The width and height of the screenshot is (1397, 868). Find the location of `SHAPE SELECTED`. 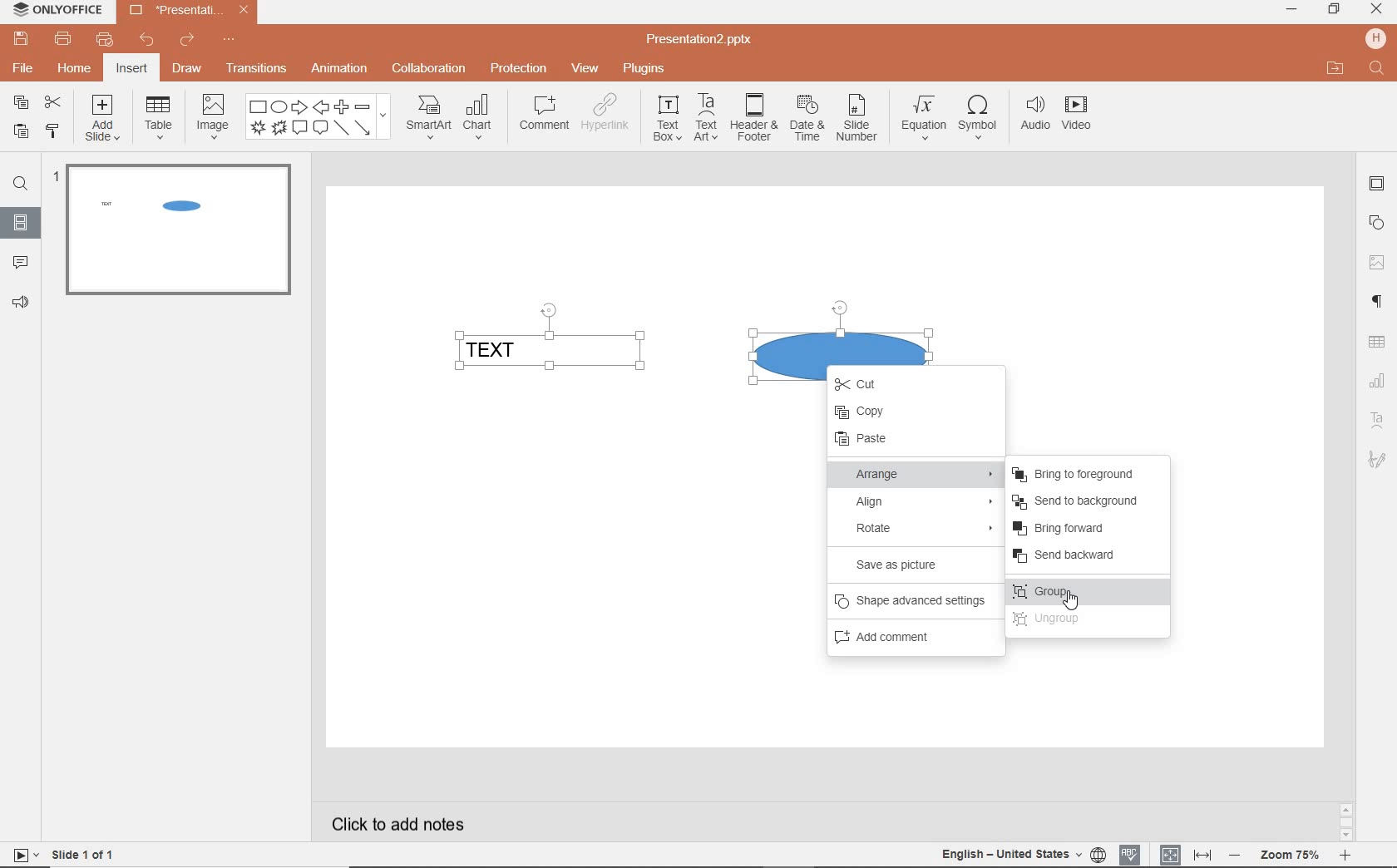

SHAPE SELECTED is located at coordinates (840, 333).